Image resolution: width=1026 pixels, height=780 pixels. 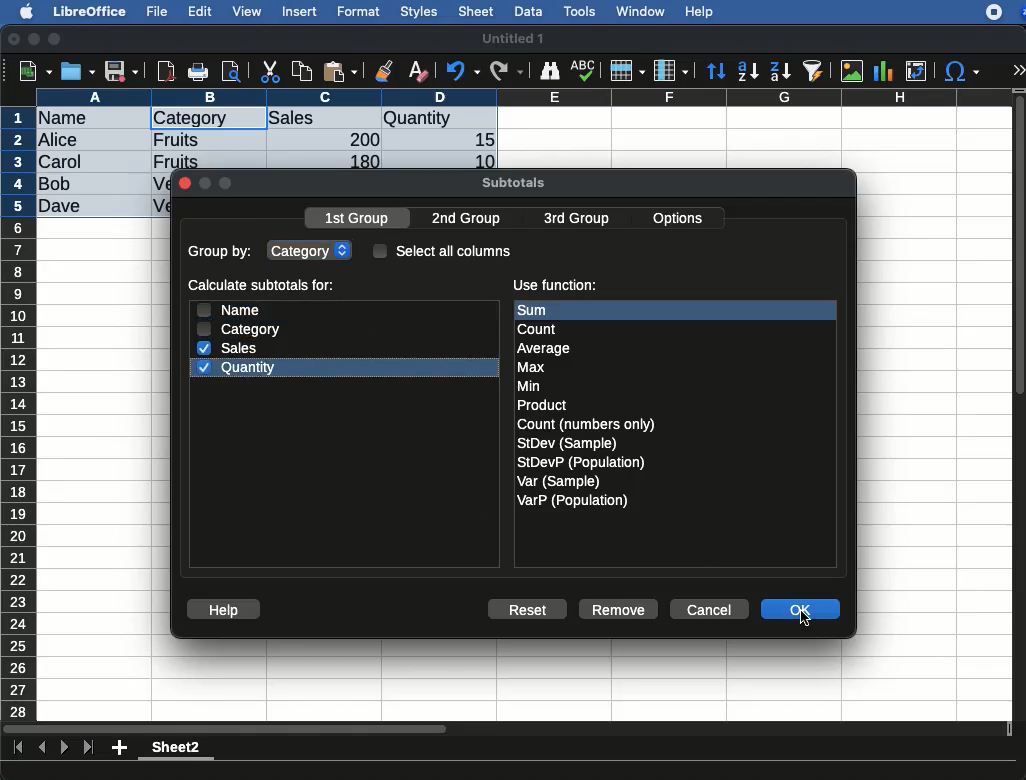 What do you see at coordinates (122, 73) in the screenshot?
I see `save` at bounding box center [122, 73].